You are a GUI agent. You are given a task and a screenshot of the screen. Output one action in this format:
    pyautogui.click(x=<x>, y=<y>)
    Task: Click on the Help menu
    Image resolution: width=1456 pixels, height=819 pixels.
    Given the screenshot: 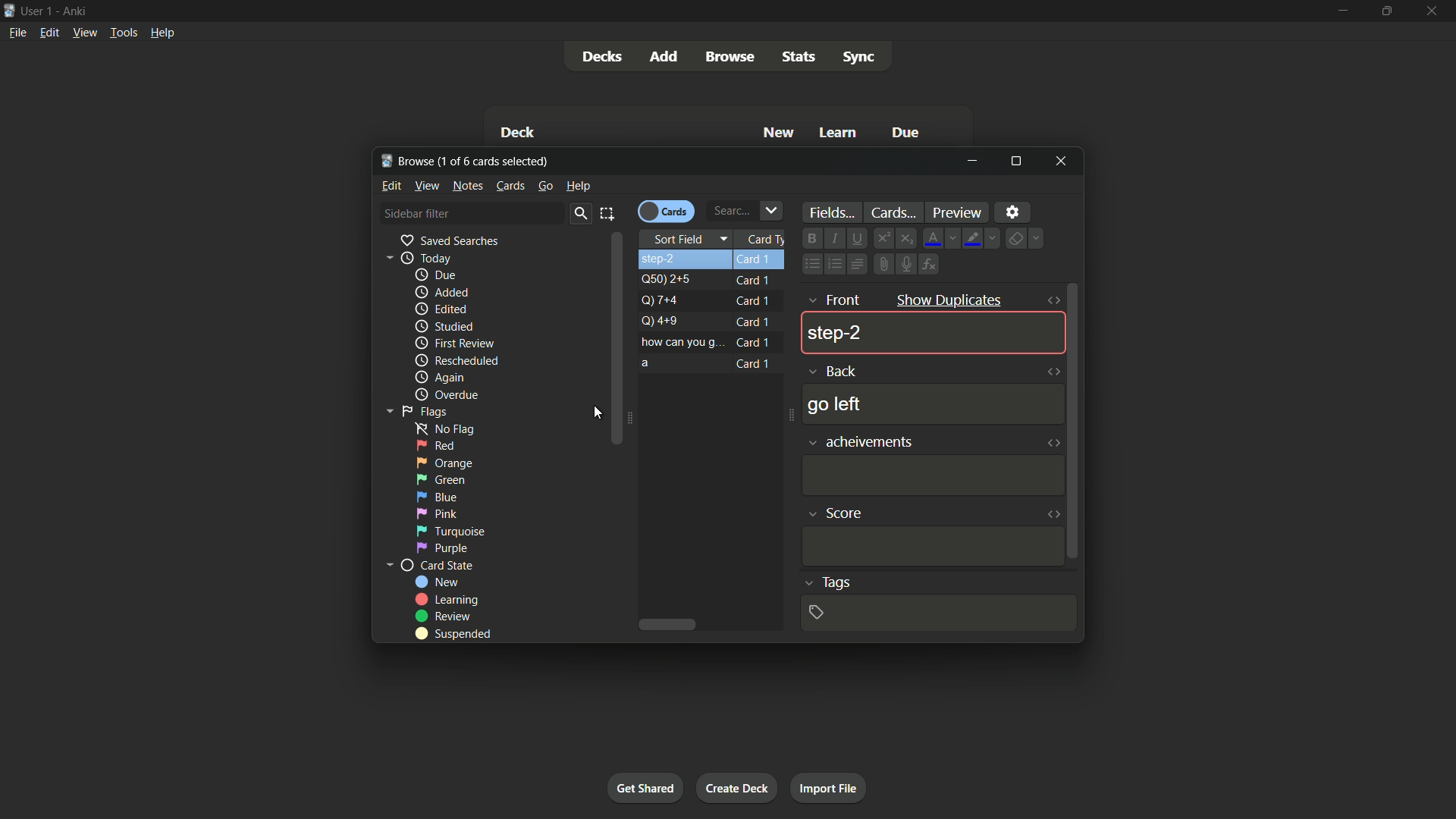 What is the action you would take?
    pyautogui.click(x=165, y=33)
    